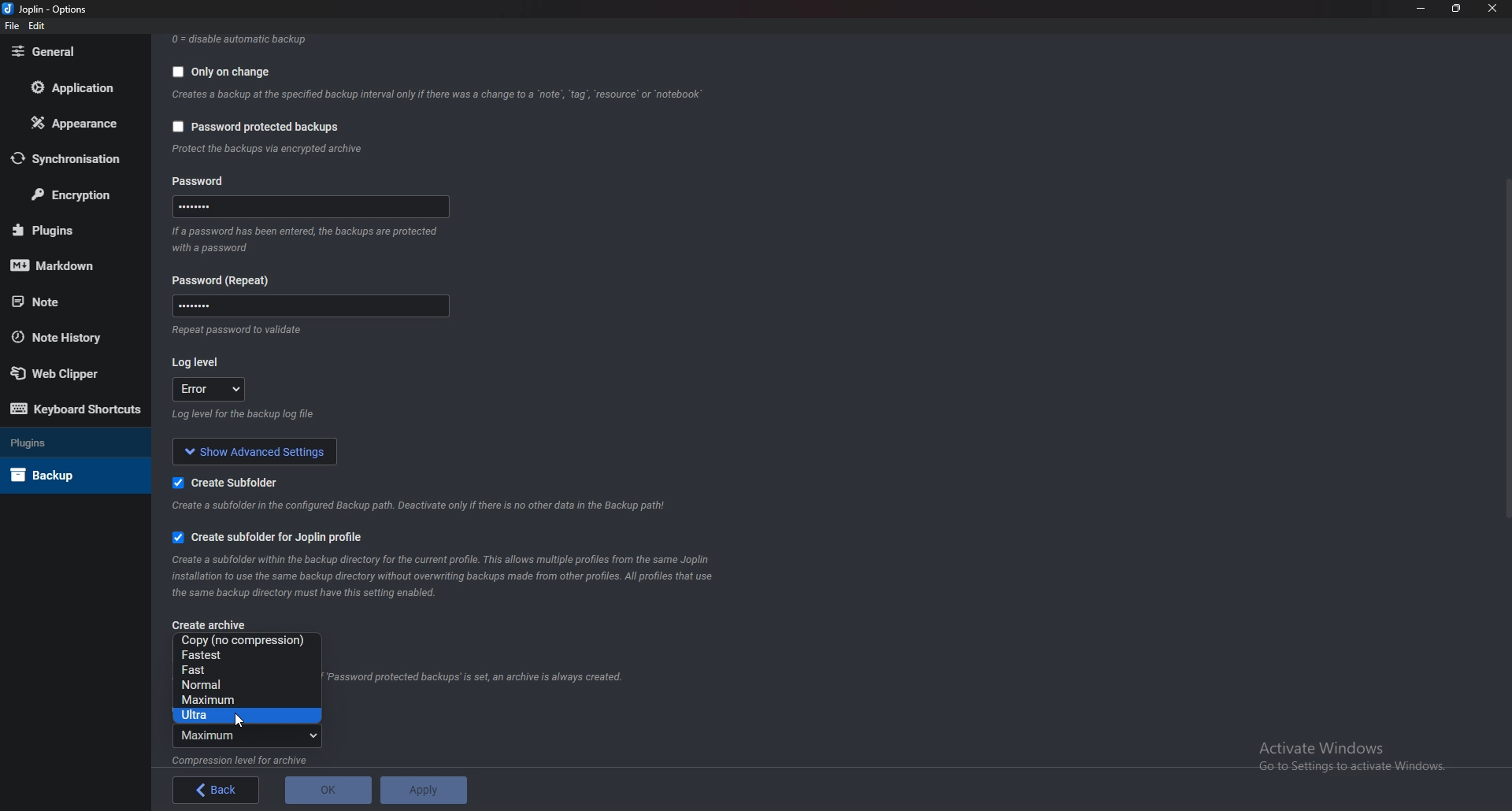 The image size is (1512, 811). What do you see at coordinates (79, 121) in the screenshot?
I see `Appearance` at bounding box center [79, 121].